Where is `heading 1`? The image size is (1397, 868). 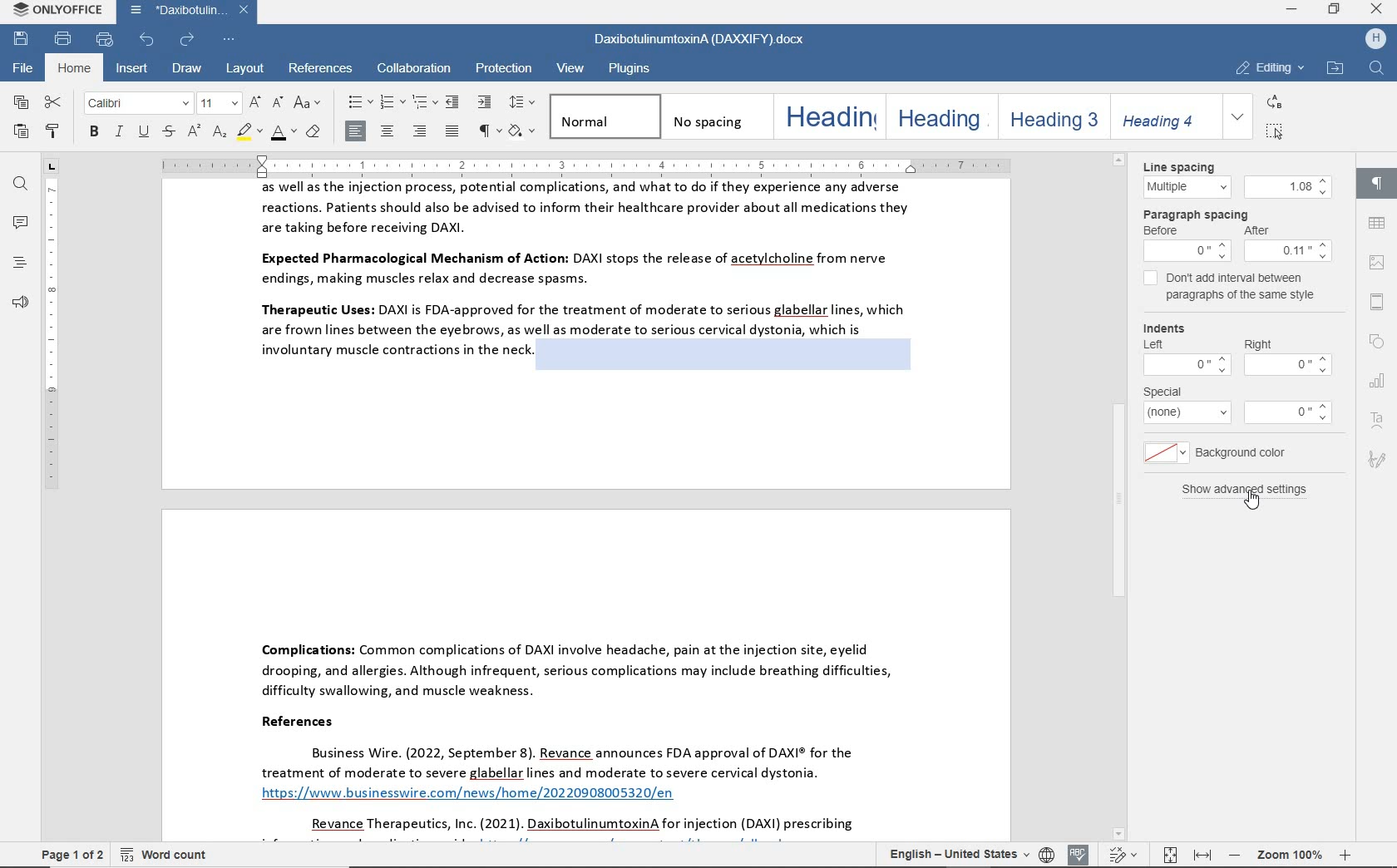 heading 1 is located at coordinates (827, 116).